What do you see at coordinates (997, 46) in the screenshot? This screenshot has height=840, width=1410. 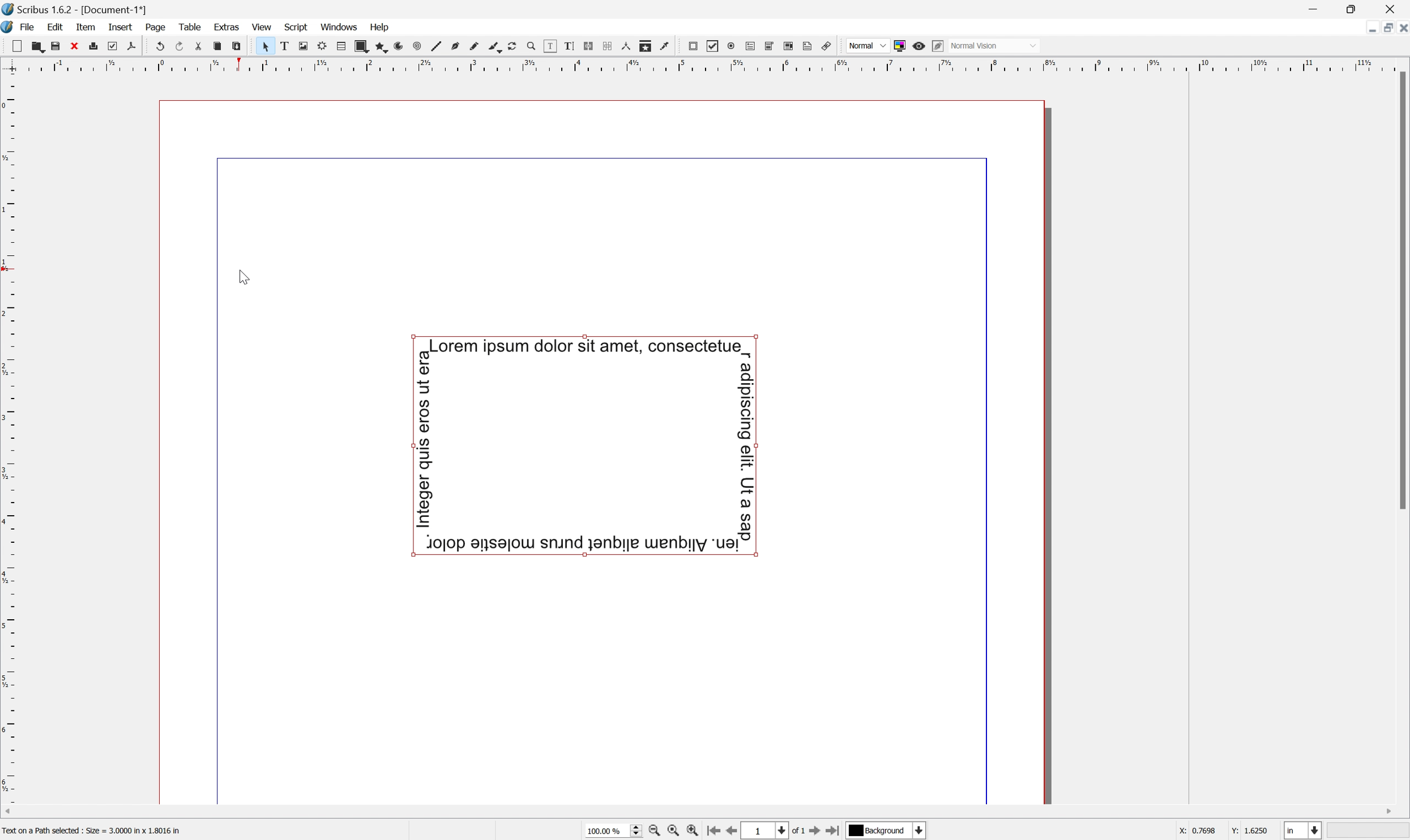 I see `Normal mode` at bounding box center [997, 46].